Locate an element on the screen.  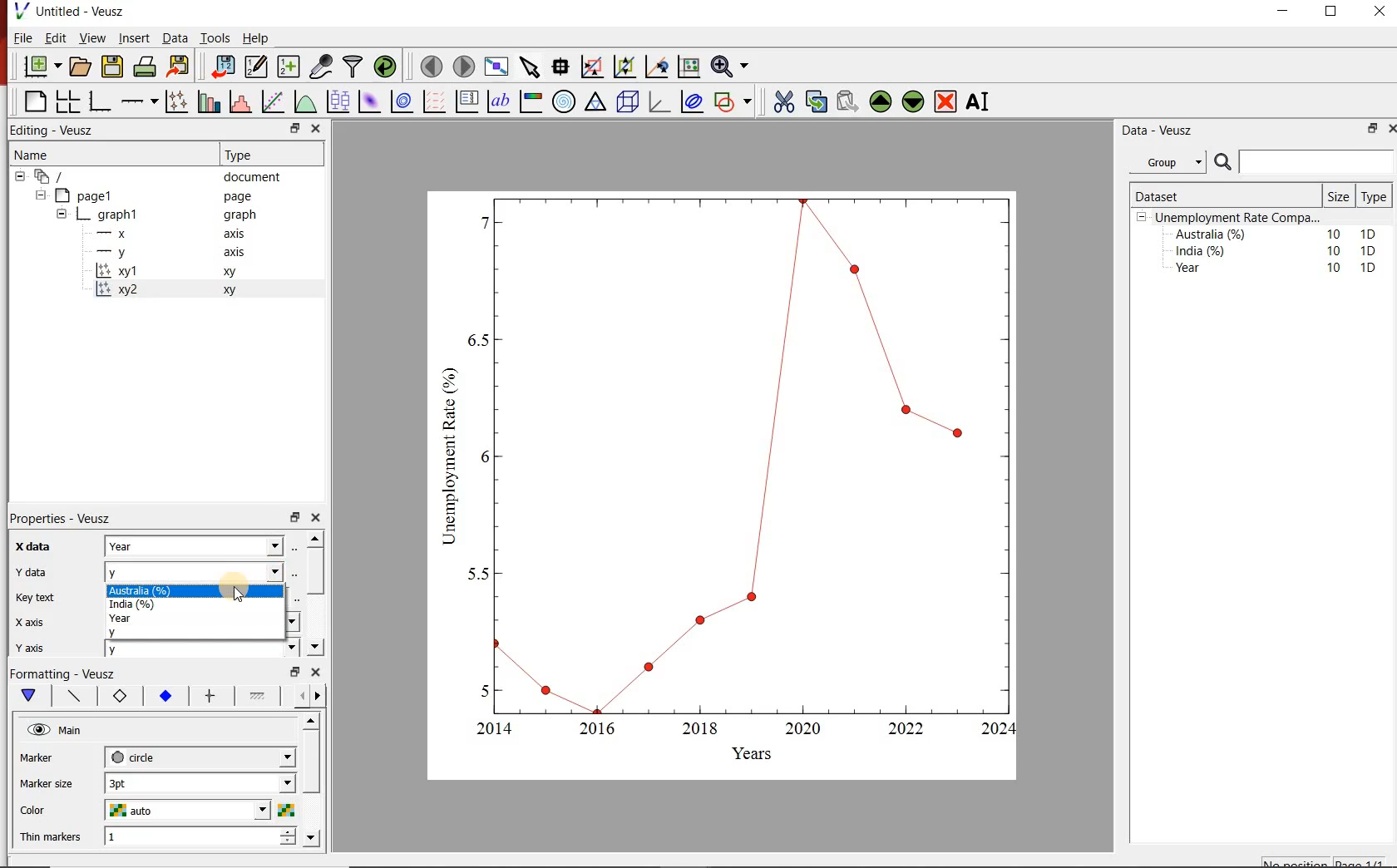
1 pt is located at coordinates (197, 782).